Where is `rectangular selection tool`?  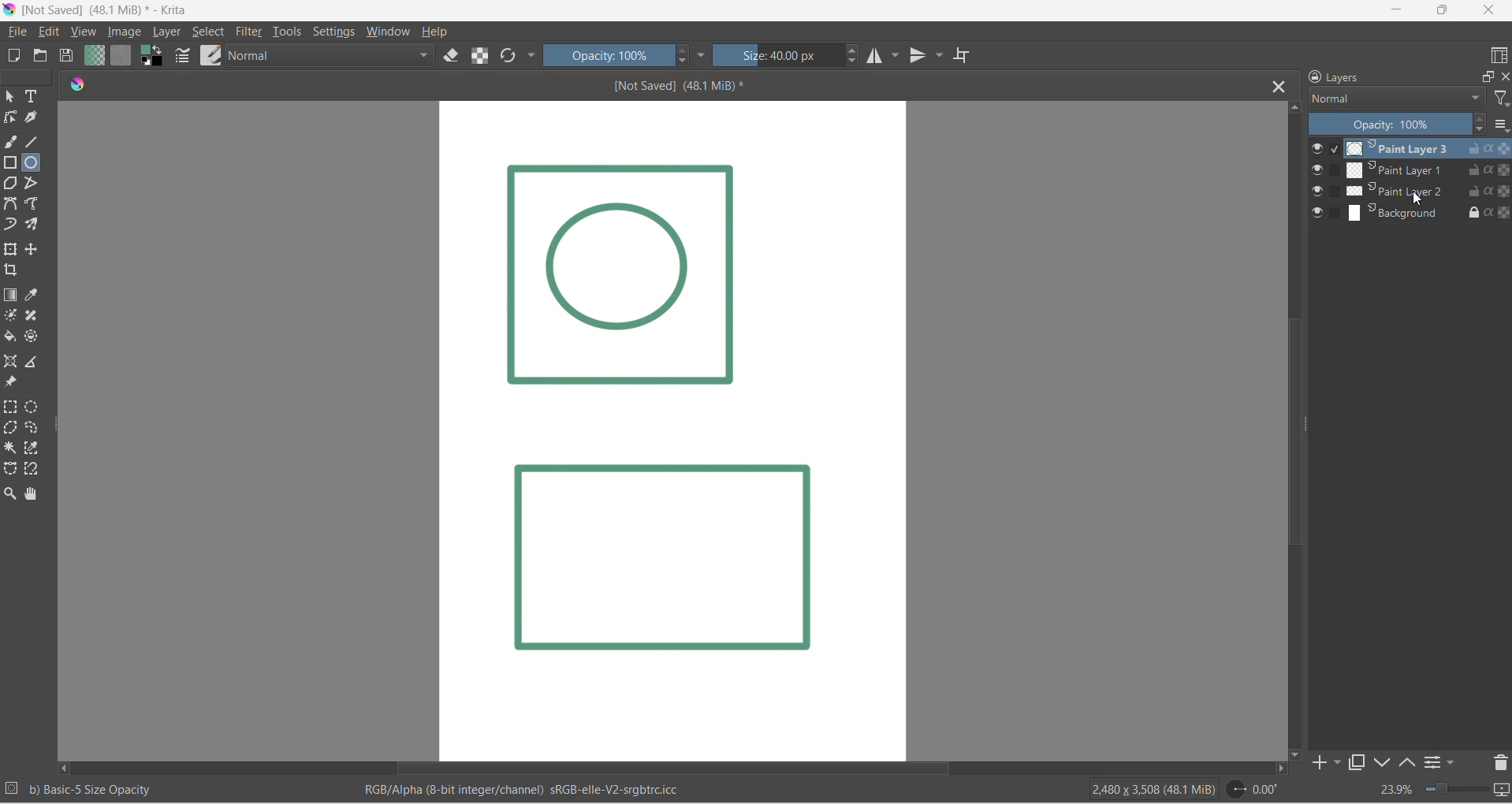 rectangular selection tool is located at coordinates (10, 408).